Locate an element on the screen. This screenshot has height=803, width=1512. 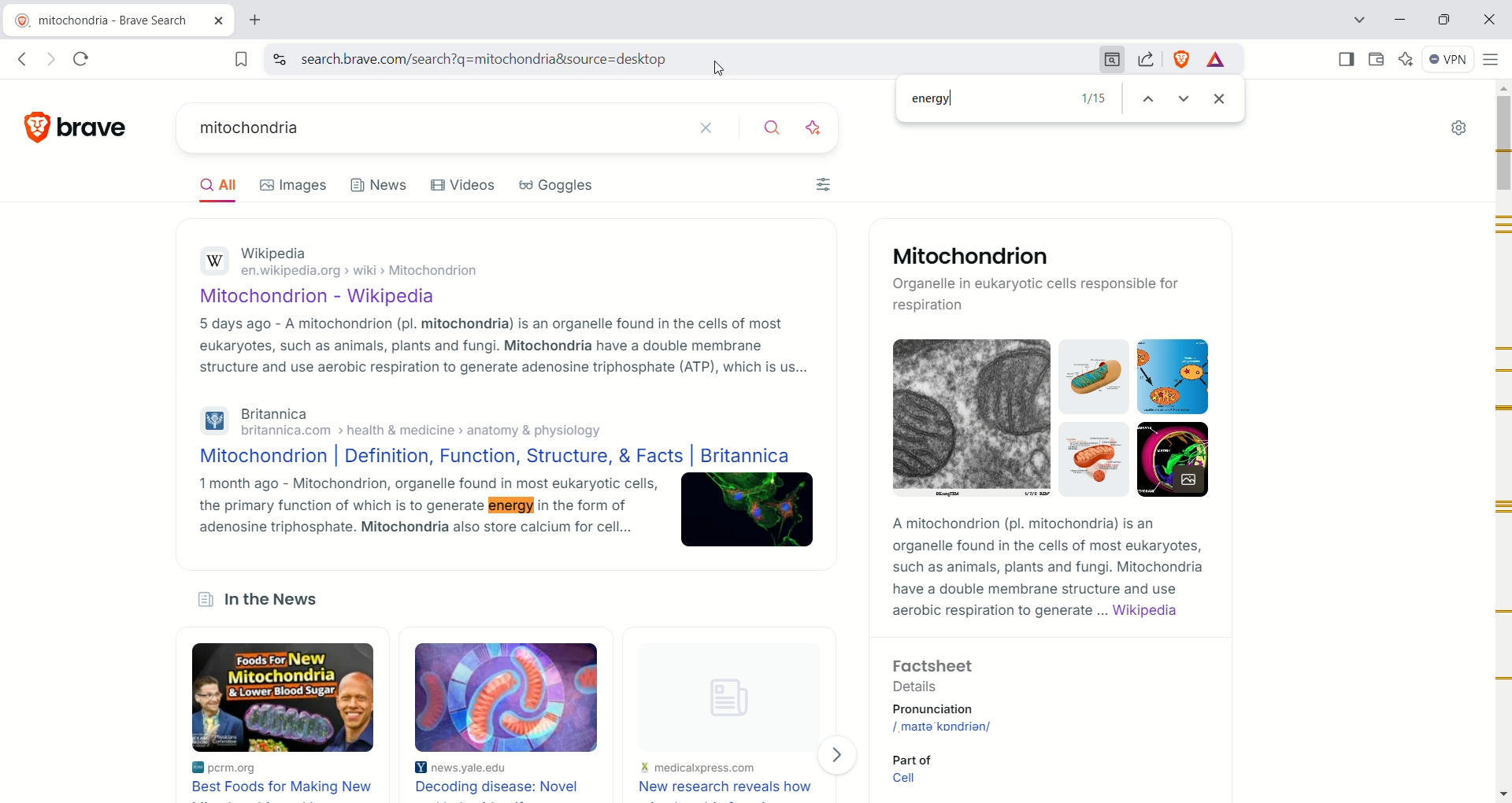
Image is located at coordinates (1095, 379).